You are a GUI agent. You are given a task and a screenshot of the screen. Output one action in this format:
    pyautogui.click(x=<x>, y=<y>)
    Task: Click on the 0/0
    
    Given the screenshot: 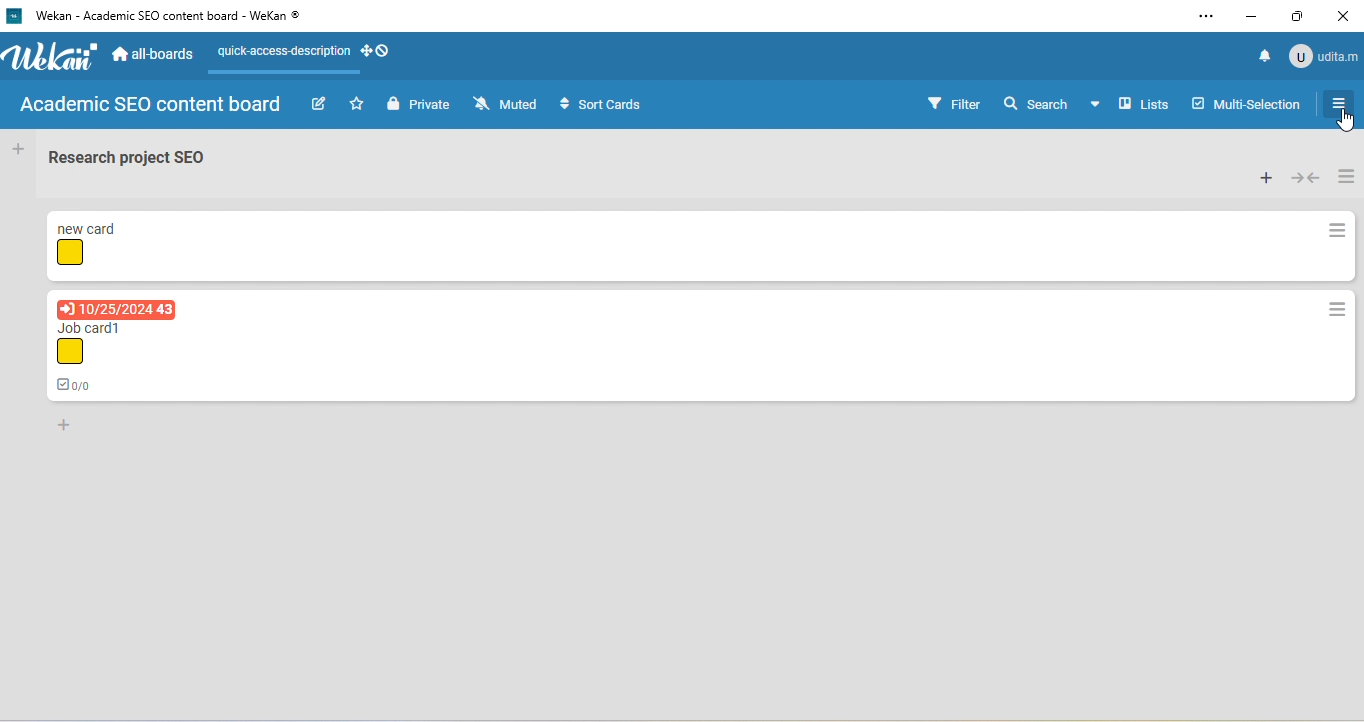 What is the action you would take?
    pyautogui.click(x=77, y=384)
    